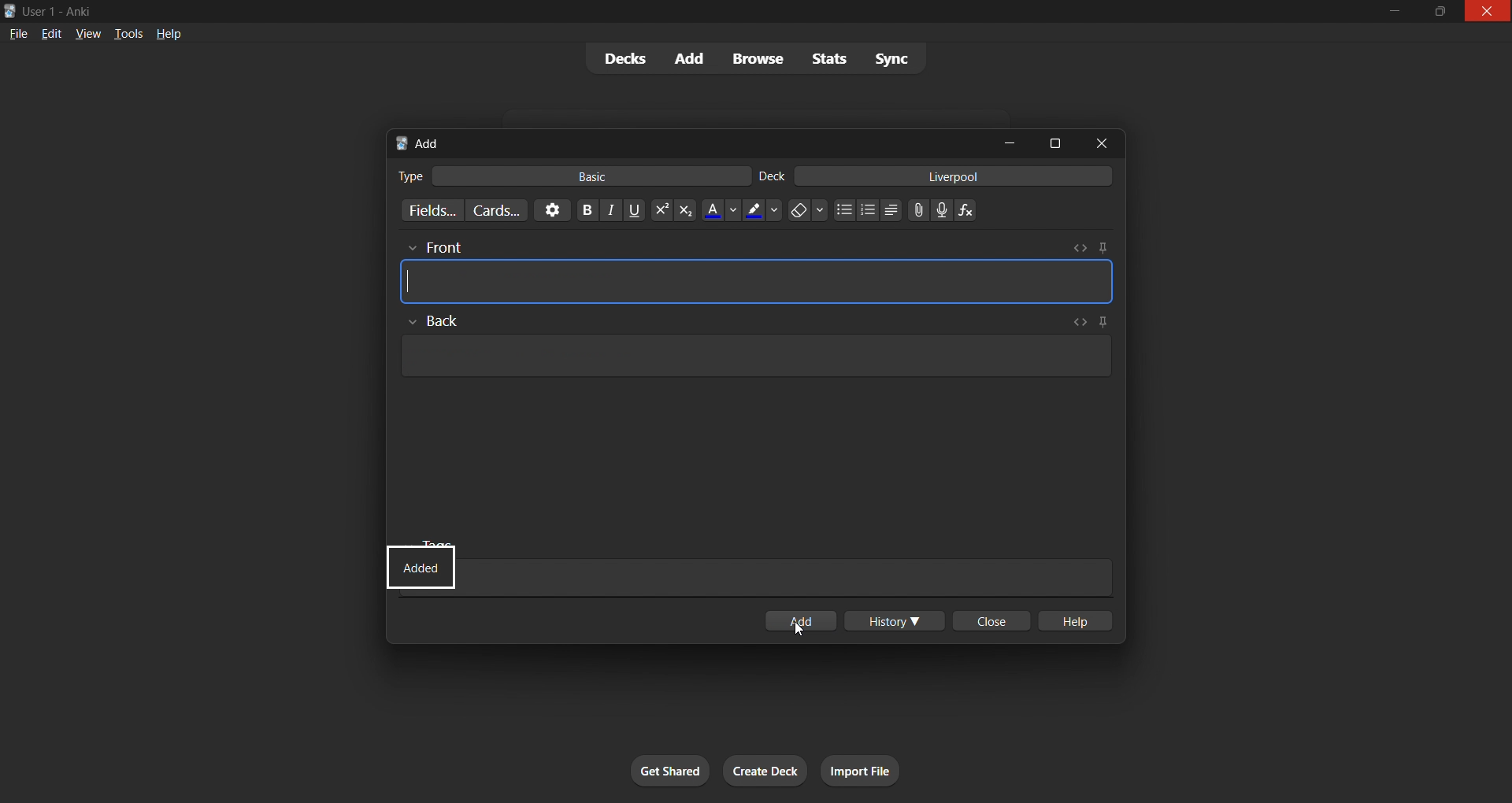 The height and width of the screenshot is (803, 1512). I want to click on history, so click(896, 623).